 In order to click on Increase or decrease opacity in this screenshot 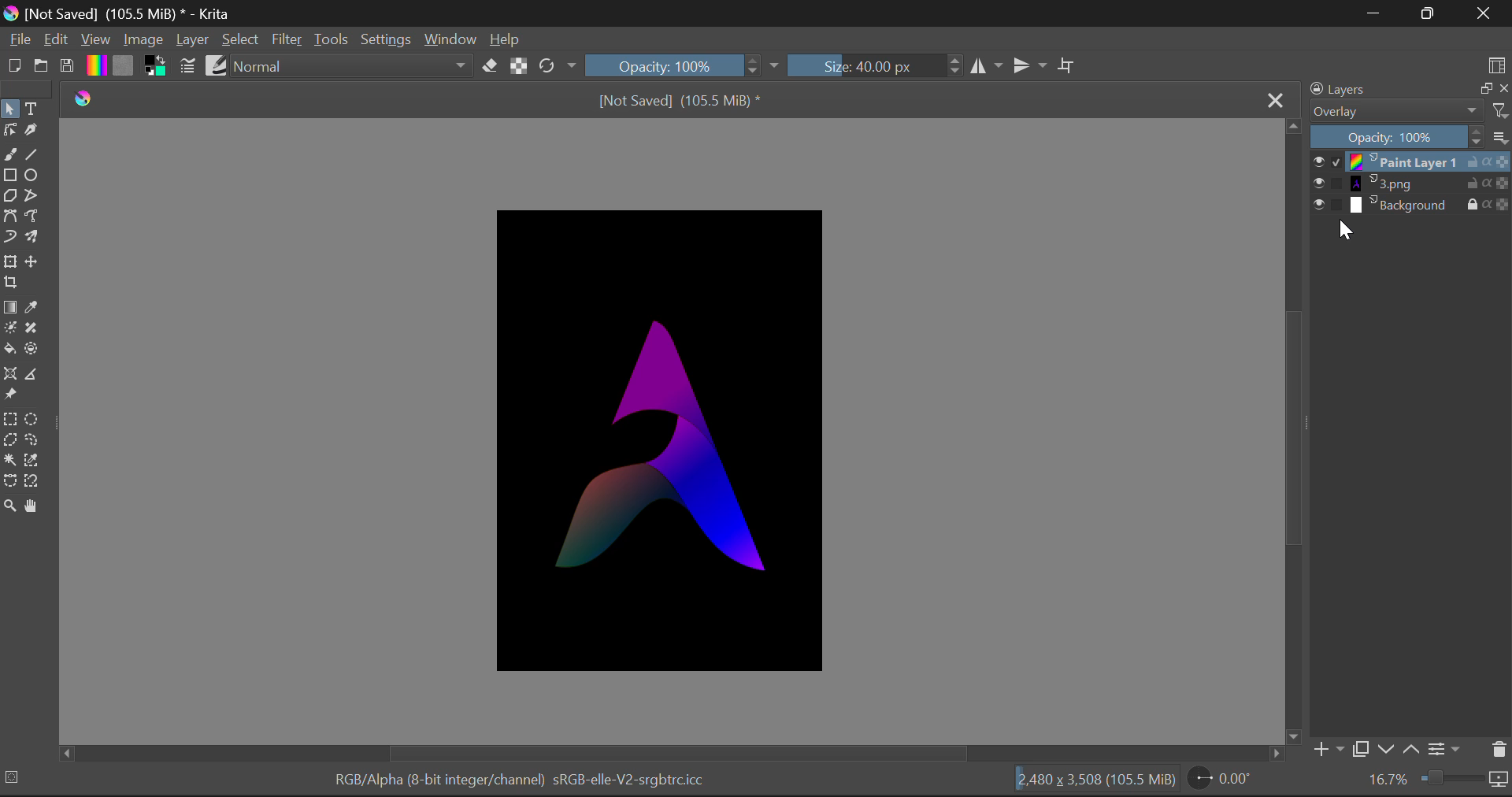, I will do `click(1478, 137)`.